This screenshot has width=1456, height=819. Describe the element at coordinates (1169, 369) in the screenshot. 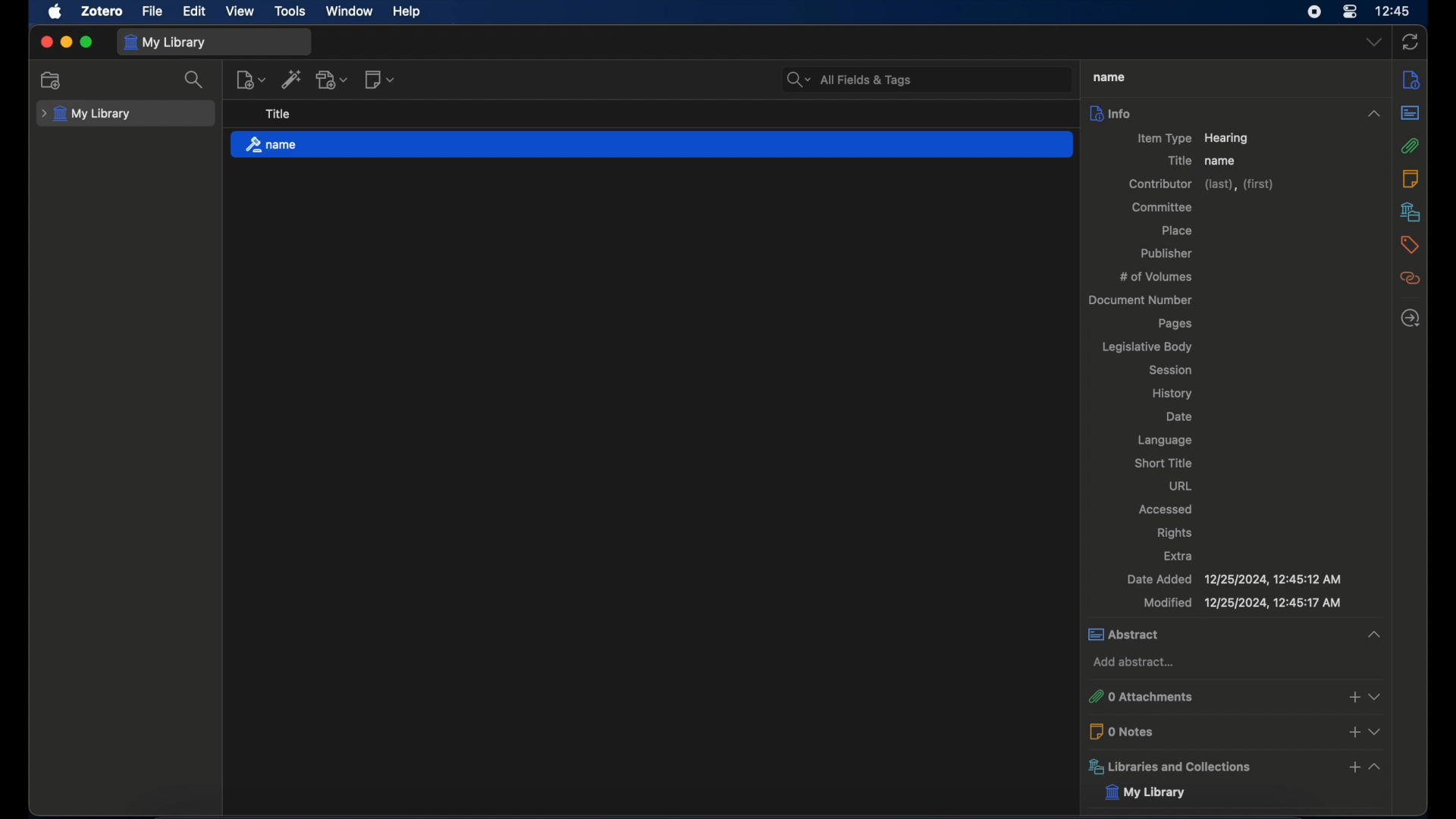

I see `session` at that location.